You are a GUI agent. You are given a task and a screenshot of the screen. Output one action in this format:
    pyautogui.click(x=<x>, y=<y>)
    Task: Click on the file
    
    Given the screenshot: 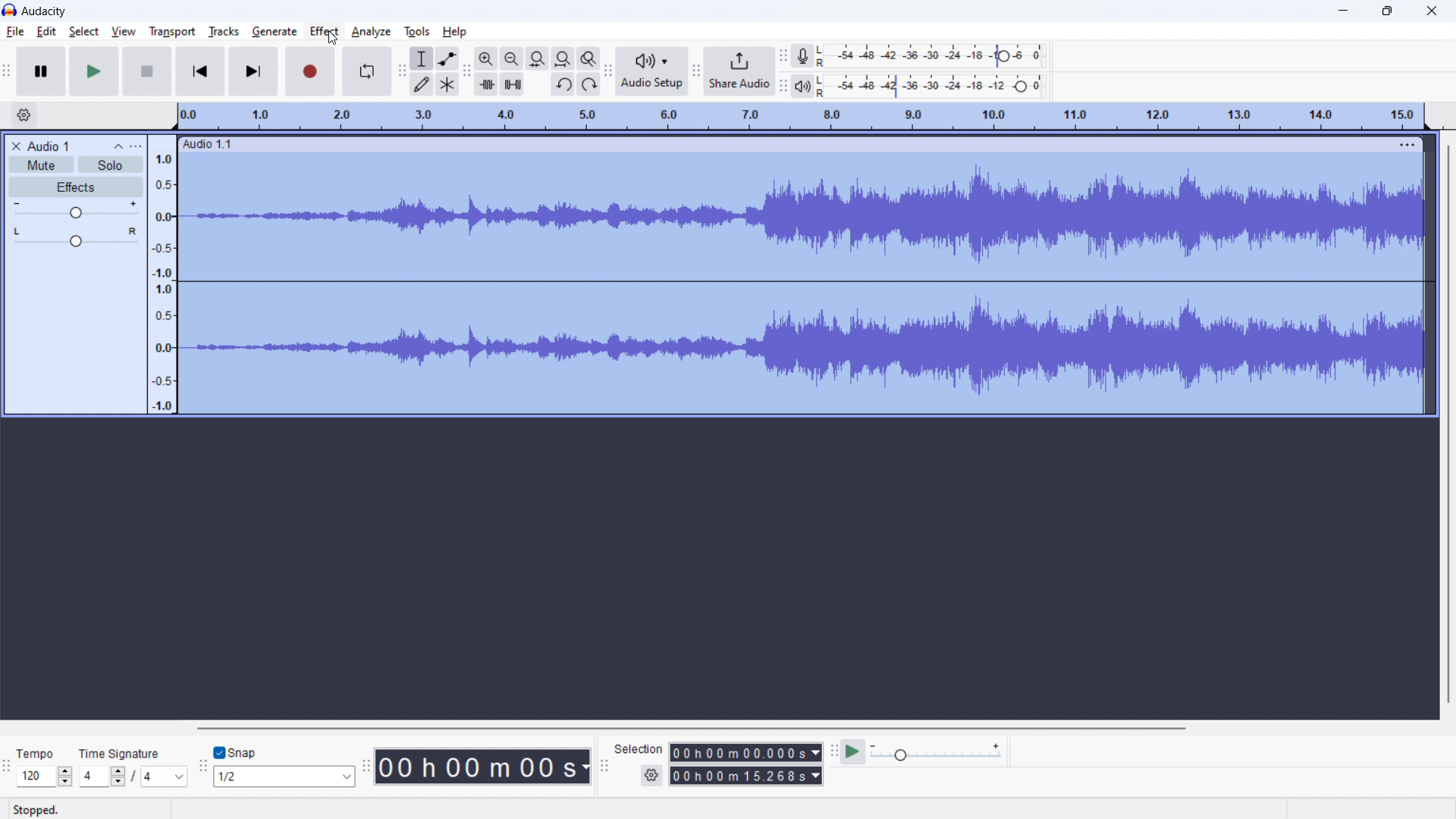 What is the action you would take?
    pyautogui.click(x=14, y=33)
    